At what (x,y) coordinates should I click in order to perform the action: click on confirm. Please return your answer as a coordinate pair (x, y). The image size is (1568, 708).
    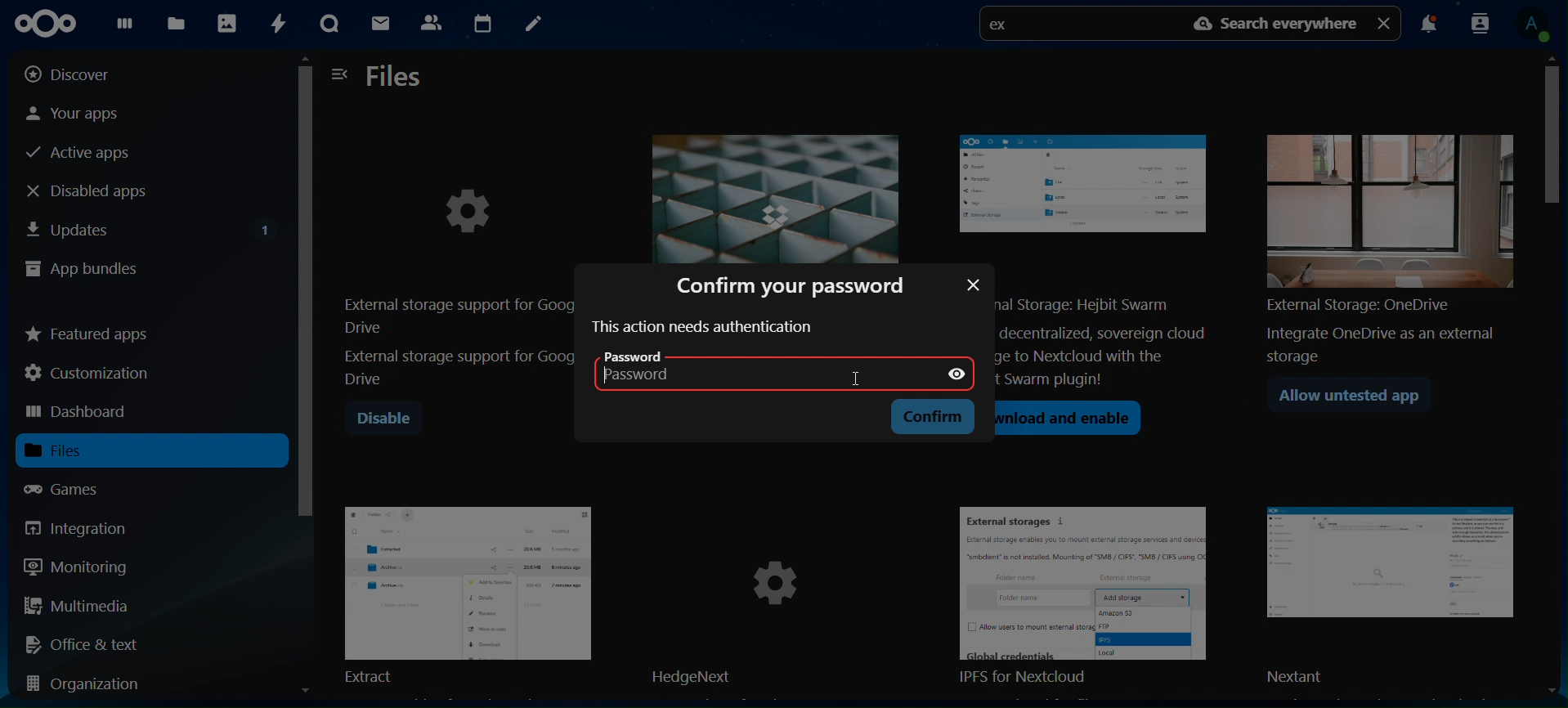
    Looking at the image, I should click on (936, 416).